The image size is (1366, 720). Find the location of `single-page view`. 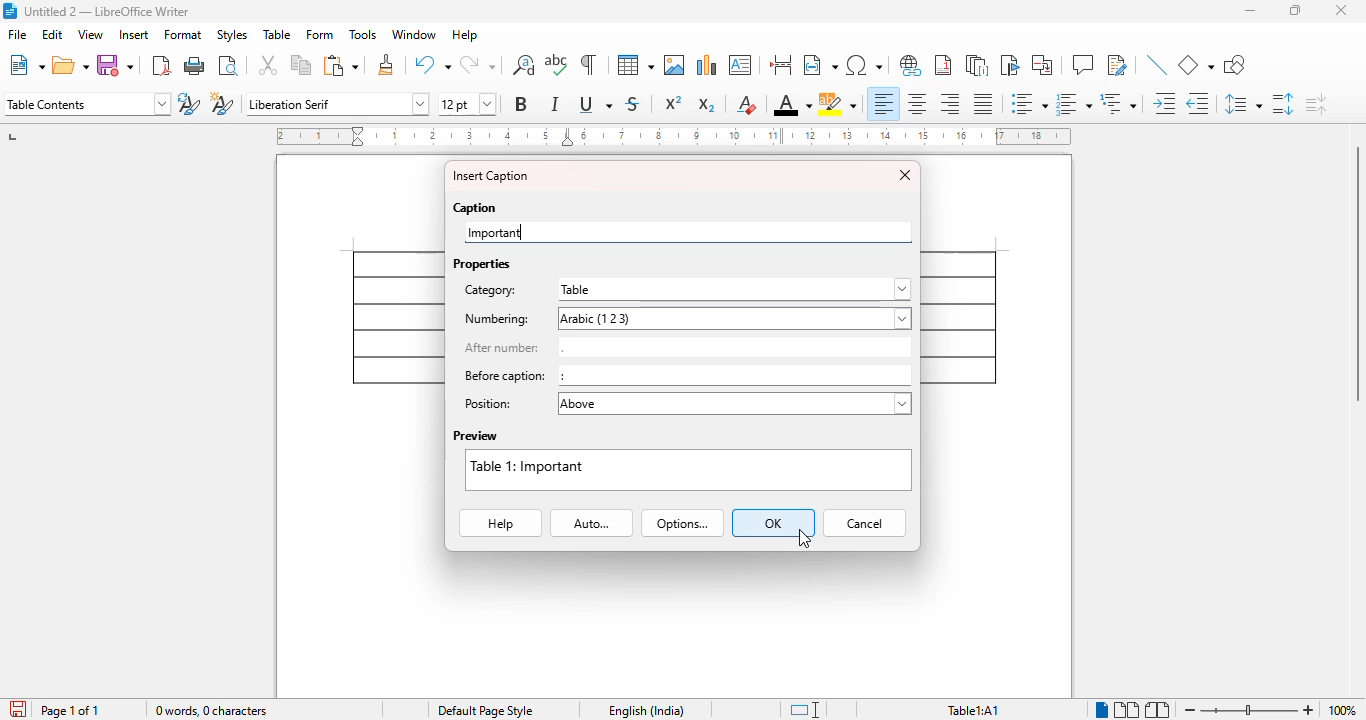

single-page view is located at coordinates (1103, 710).